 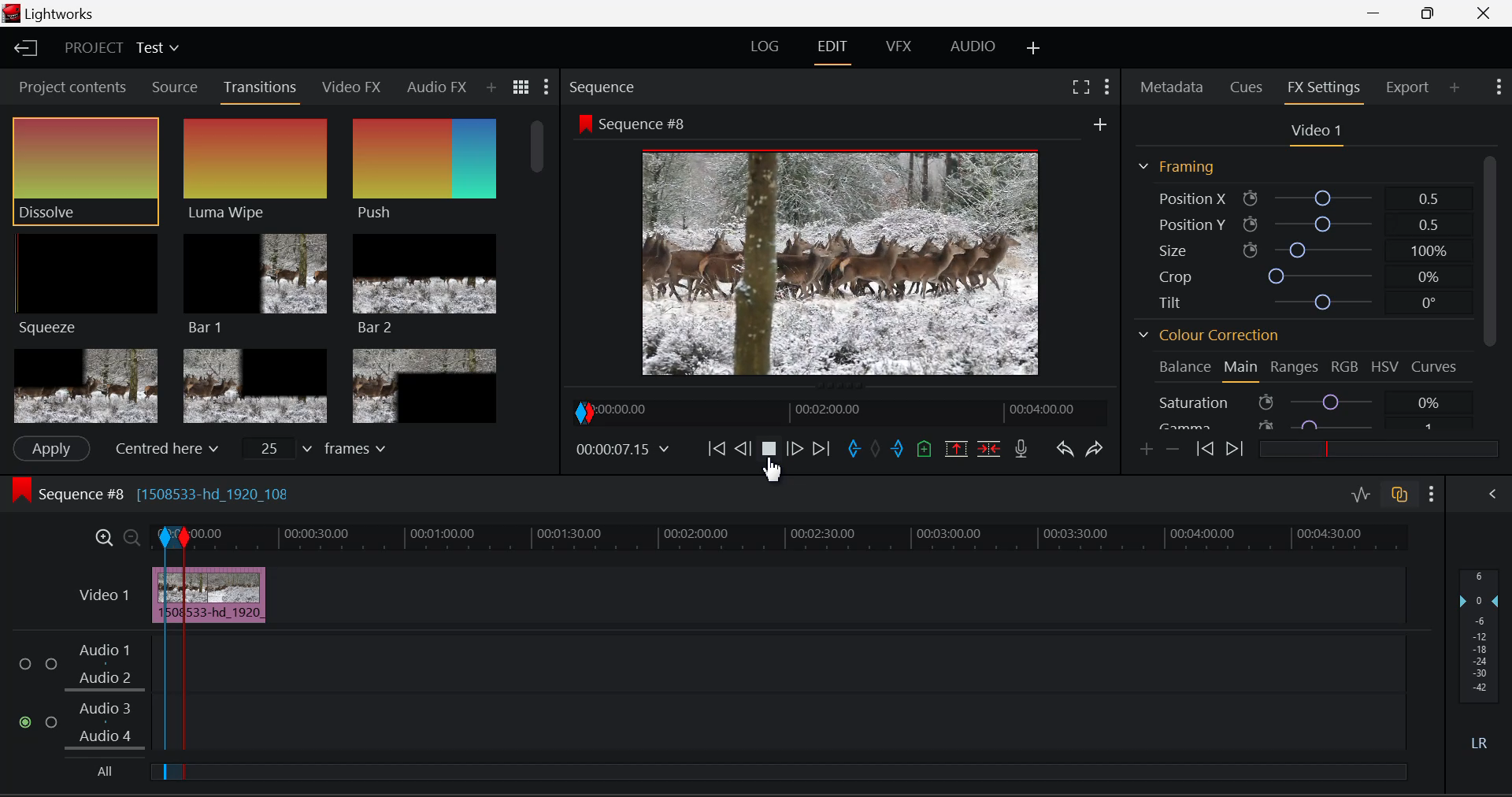 What do you see at coordinates (1242, 369) in the screenshot?
I see `Main` at bounding box center [1242, 369].